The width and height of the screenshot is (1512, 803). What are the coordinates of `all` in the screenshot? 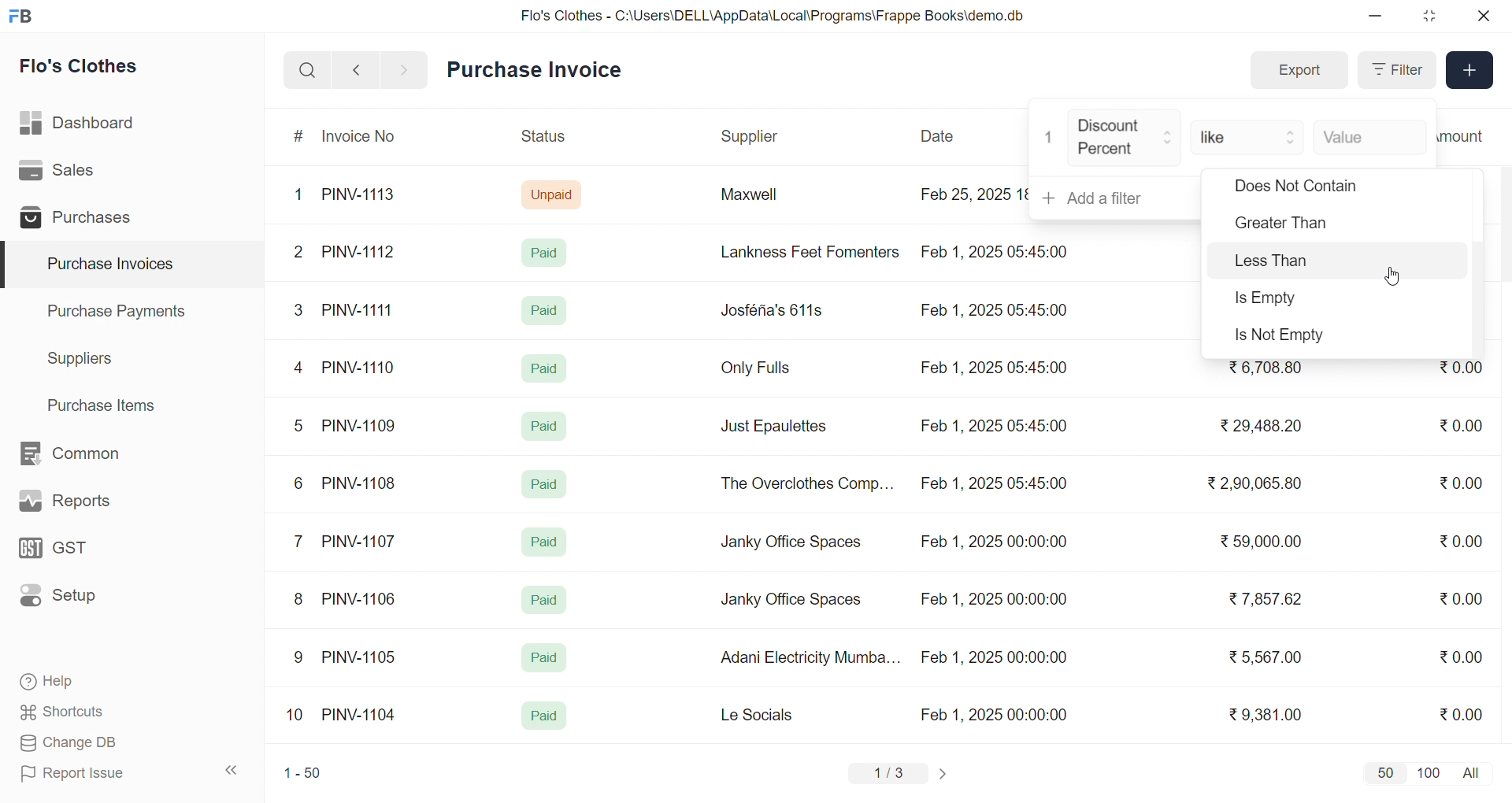 It's located at (1474, 772).